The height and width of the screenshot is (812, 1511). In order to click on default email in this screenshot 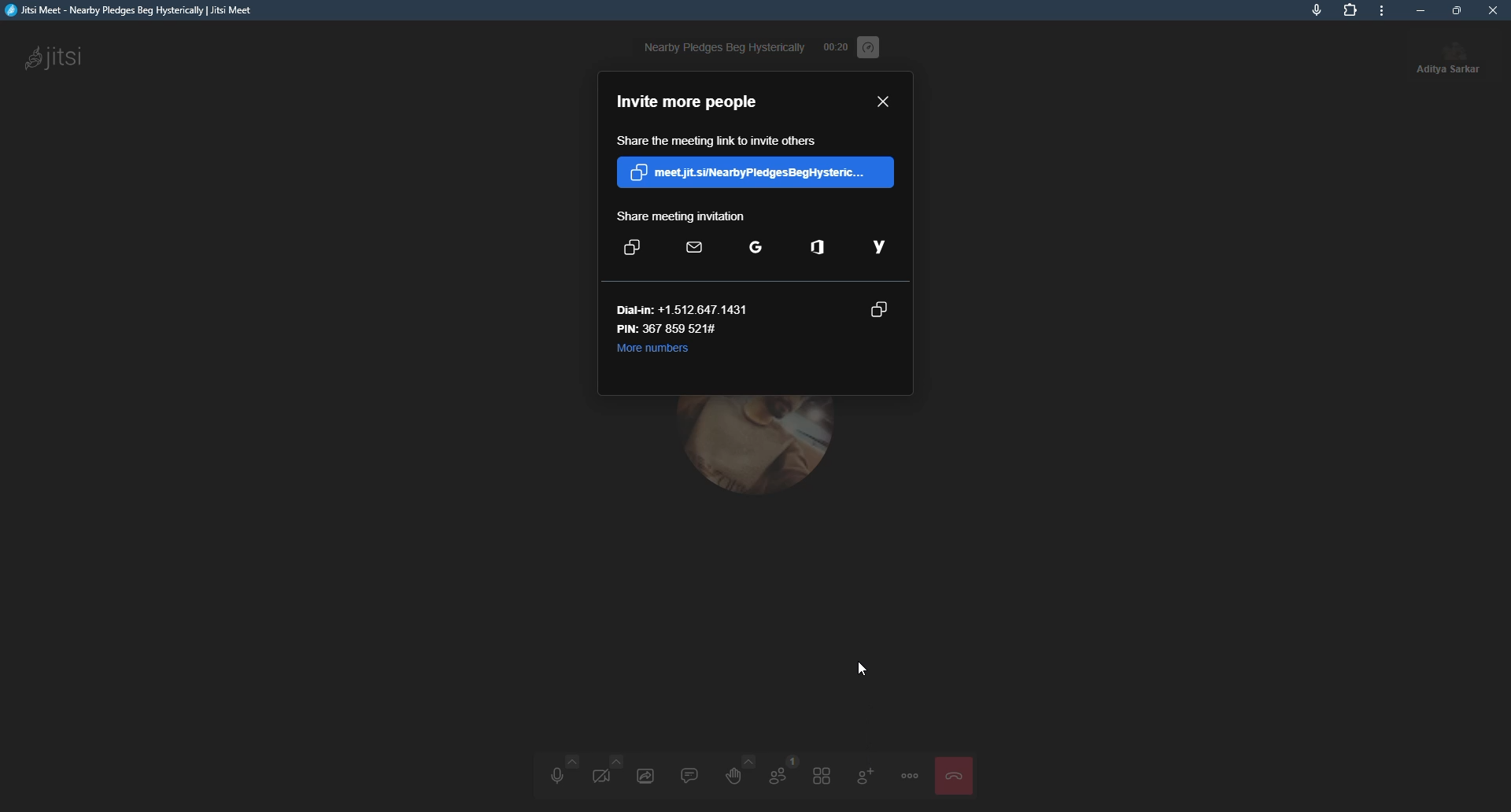, I will do `click(696, 246)`.